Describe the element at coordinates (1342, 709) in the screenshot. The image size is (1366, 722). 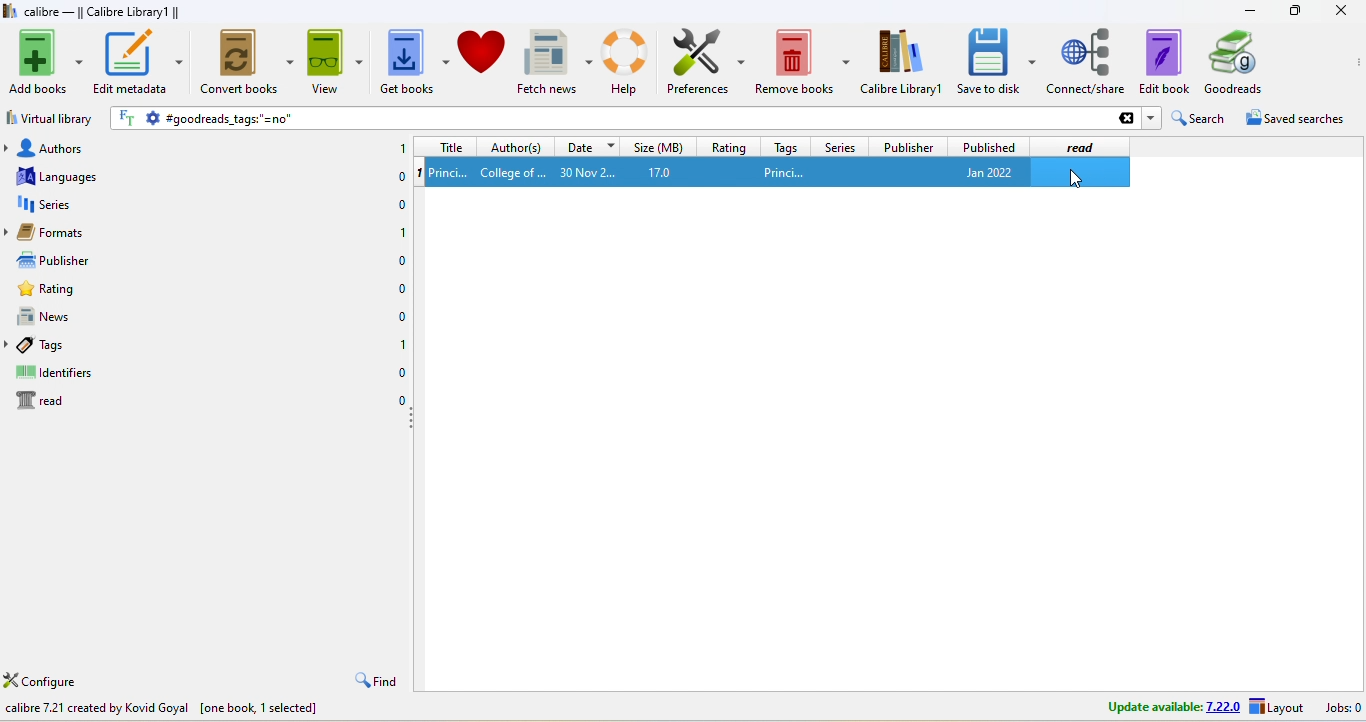
I see `jobs 0` at that location.